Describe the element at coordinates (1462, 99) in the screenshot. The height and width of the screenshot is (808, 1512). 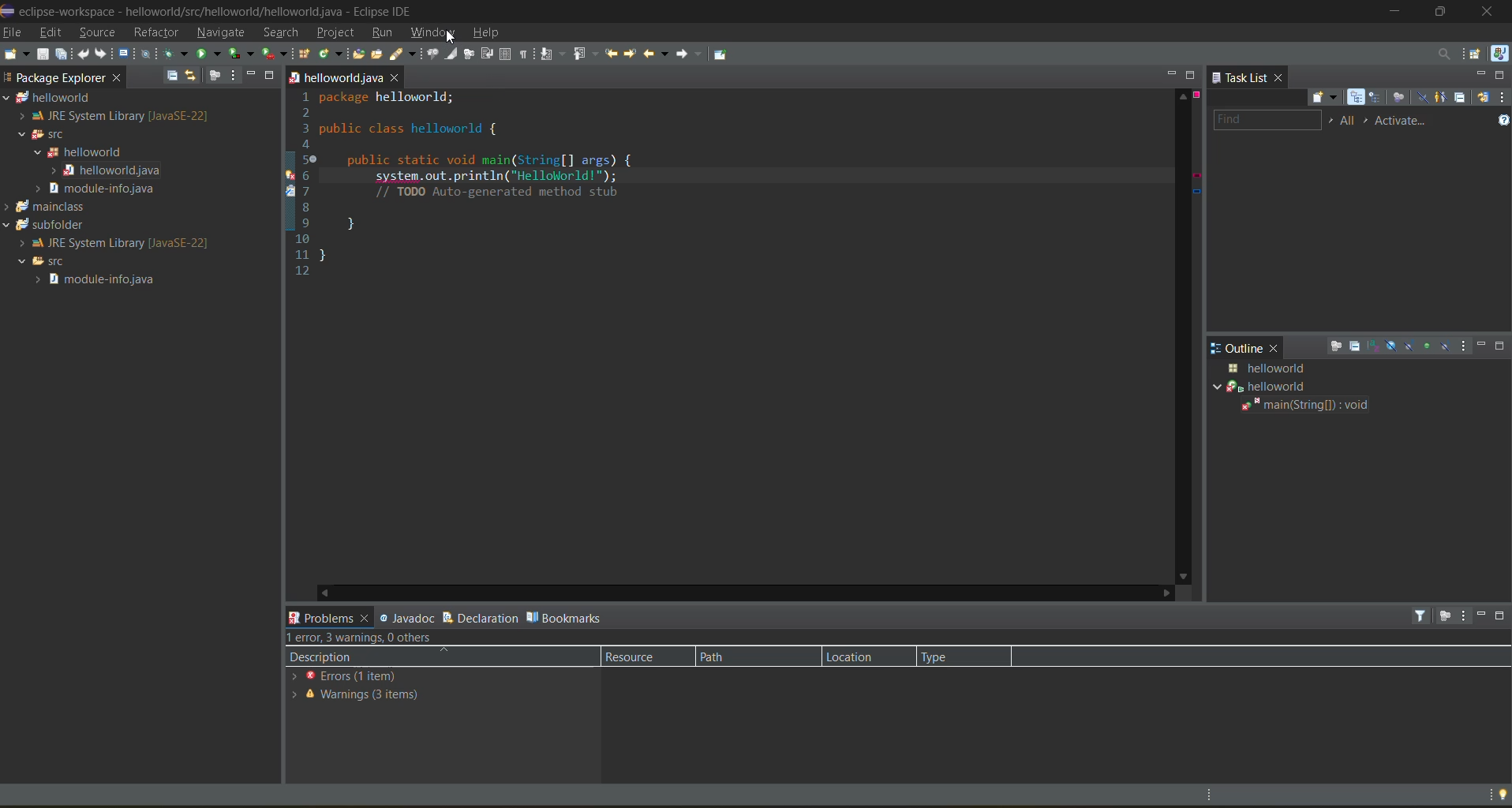
I see `collapse all` at that location.